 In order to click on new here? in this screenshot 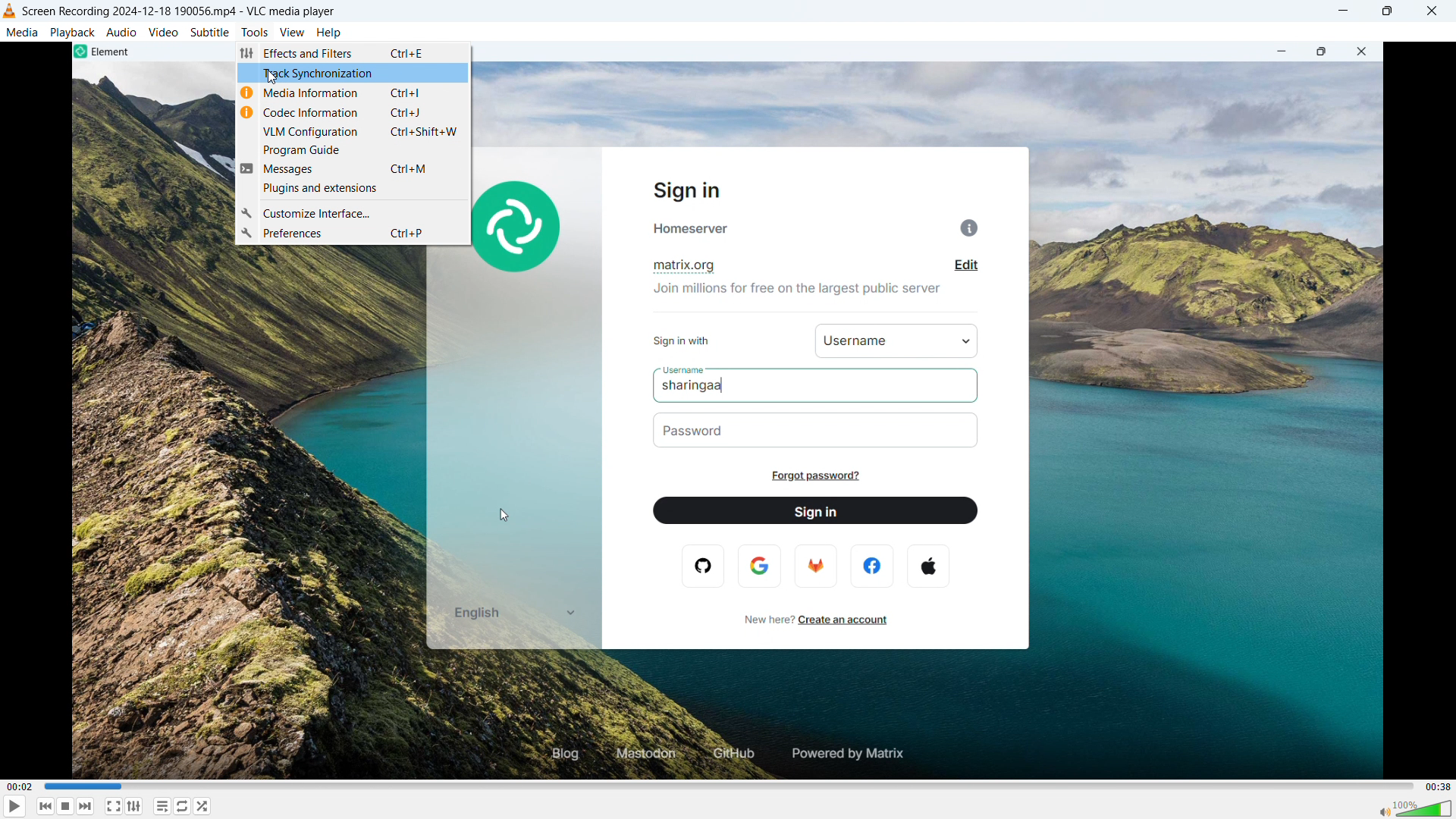, I will do `click(766, 618)`.